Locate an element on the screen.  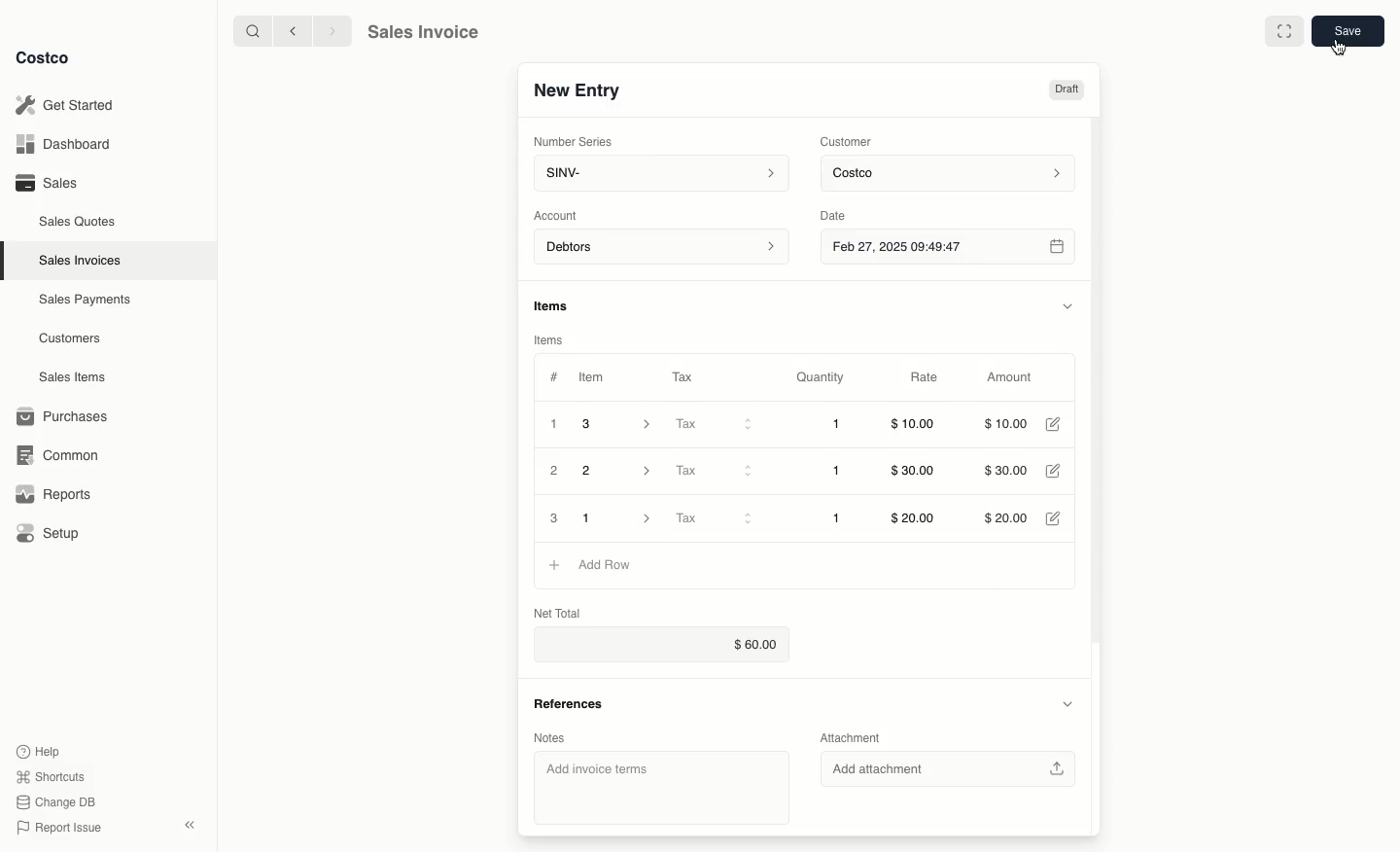
Edit is located at coordinates (1054, 516).